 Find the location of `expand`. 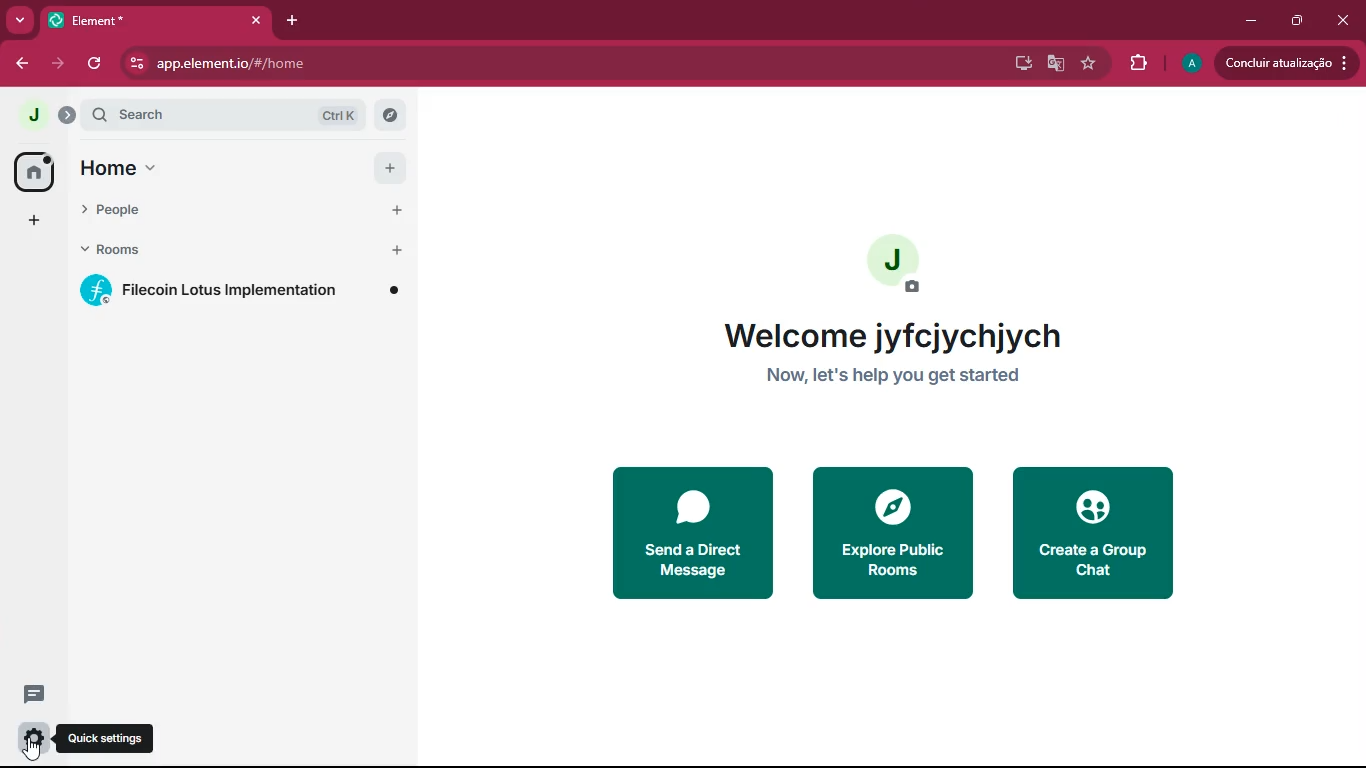

expand is located at coordinates (68, 117).